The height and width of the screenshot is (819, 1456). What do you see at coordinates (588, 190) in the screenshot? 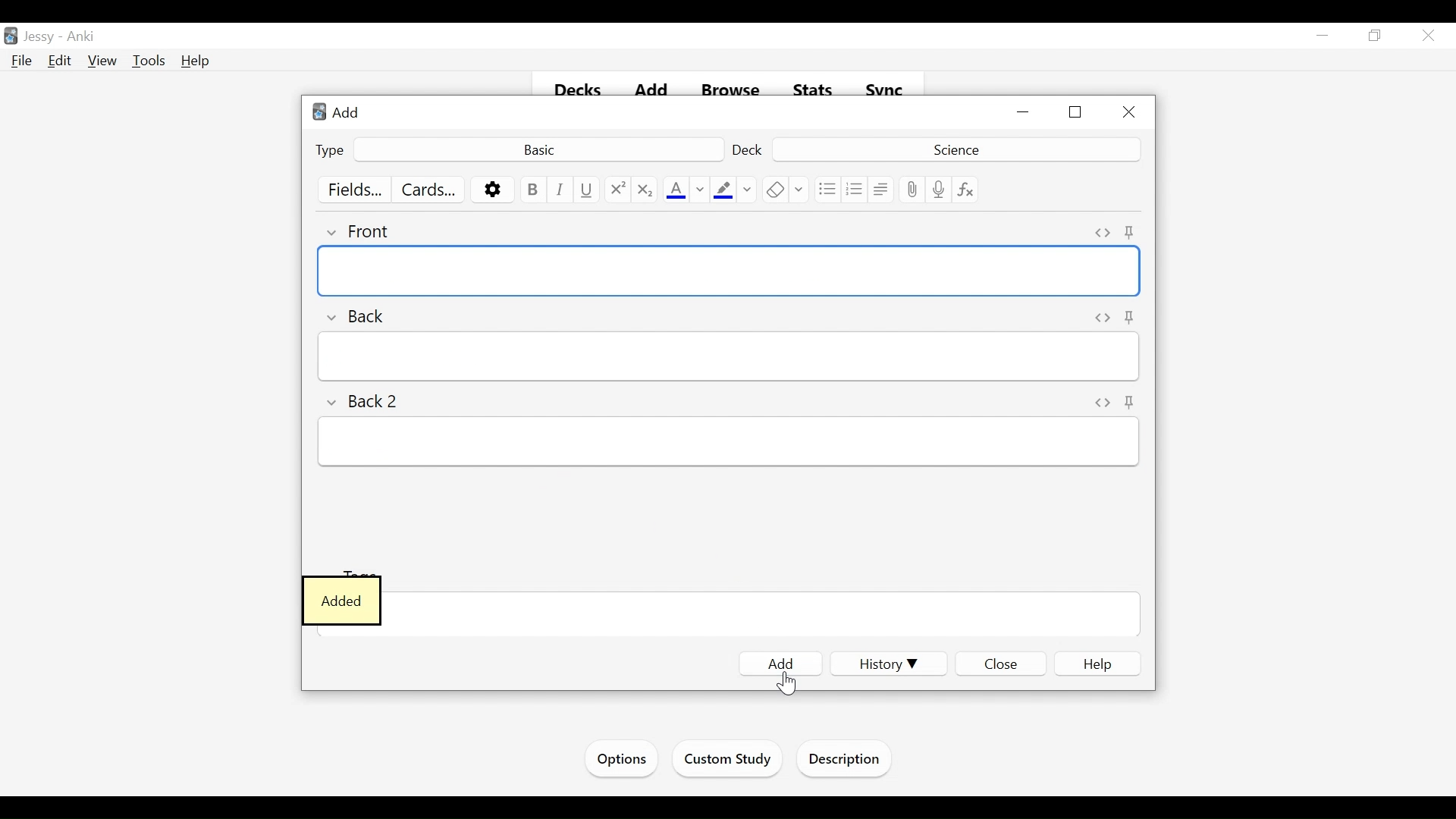
I see `Underline` at bounding box center [588, 190].